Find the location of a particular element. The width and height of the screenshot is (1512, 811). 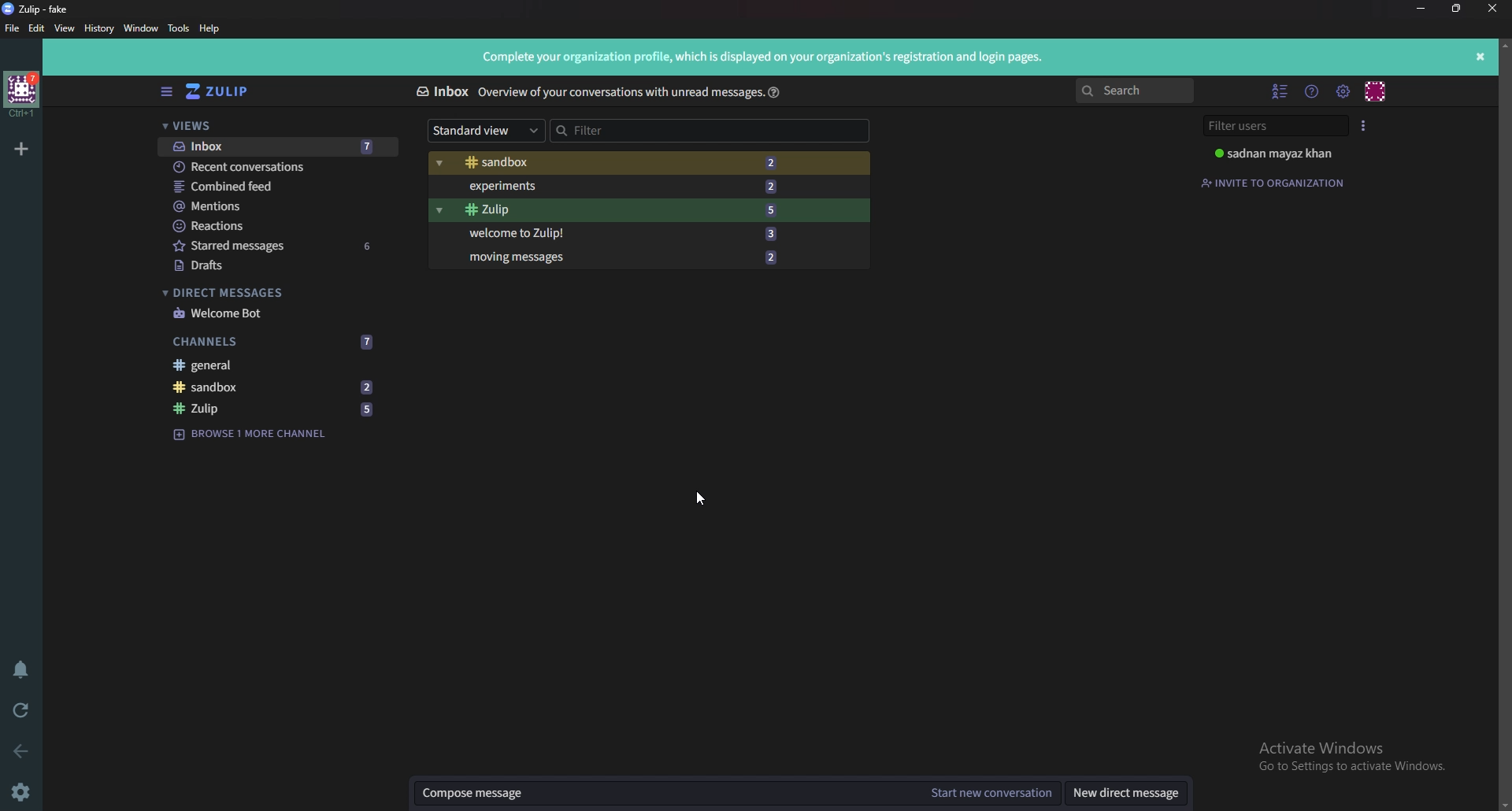

Scroll bar is located at coordinates (1504, 422).